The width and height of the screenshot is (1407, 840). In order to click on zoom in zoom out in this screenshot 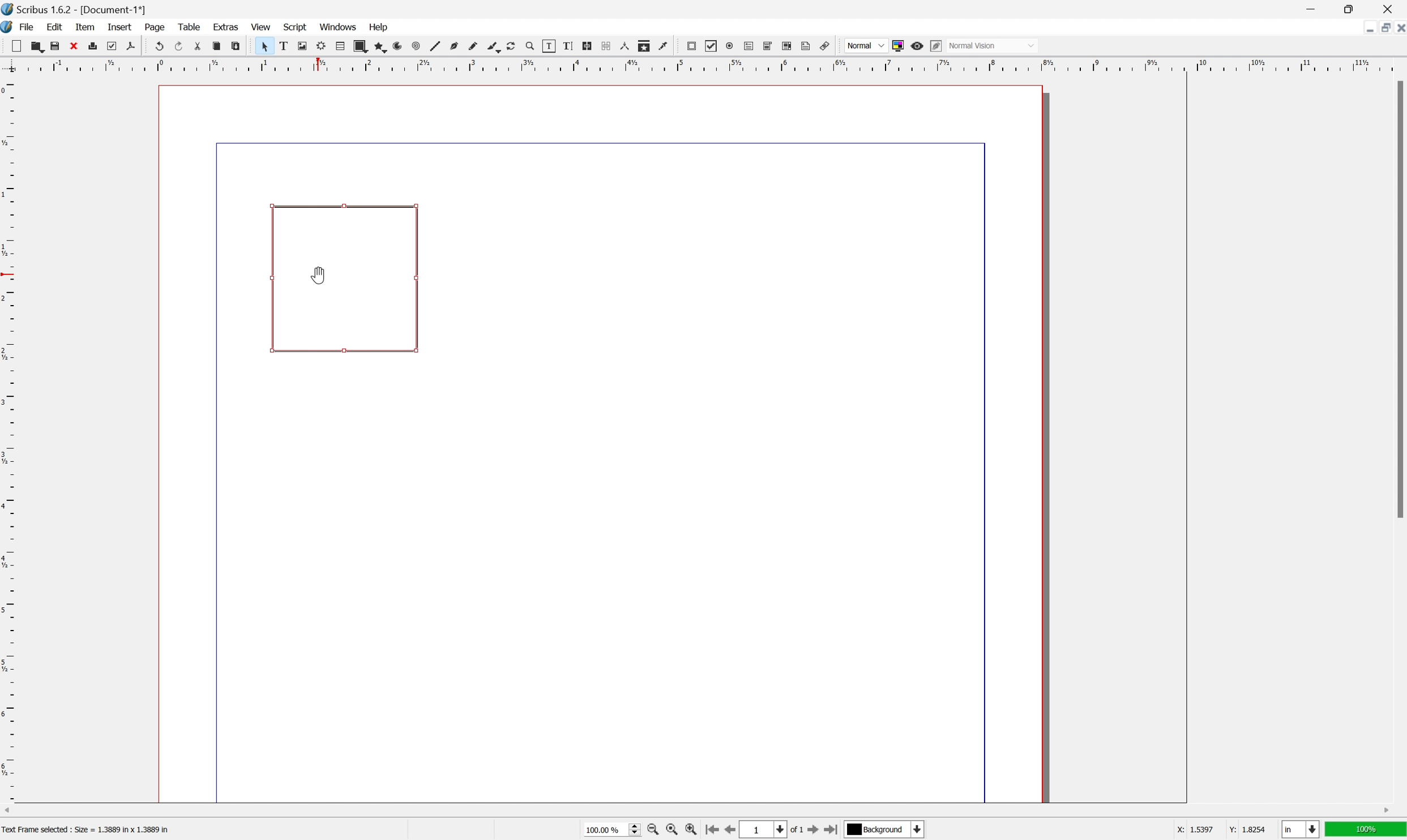, I will do `click(529, 46)`.